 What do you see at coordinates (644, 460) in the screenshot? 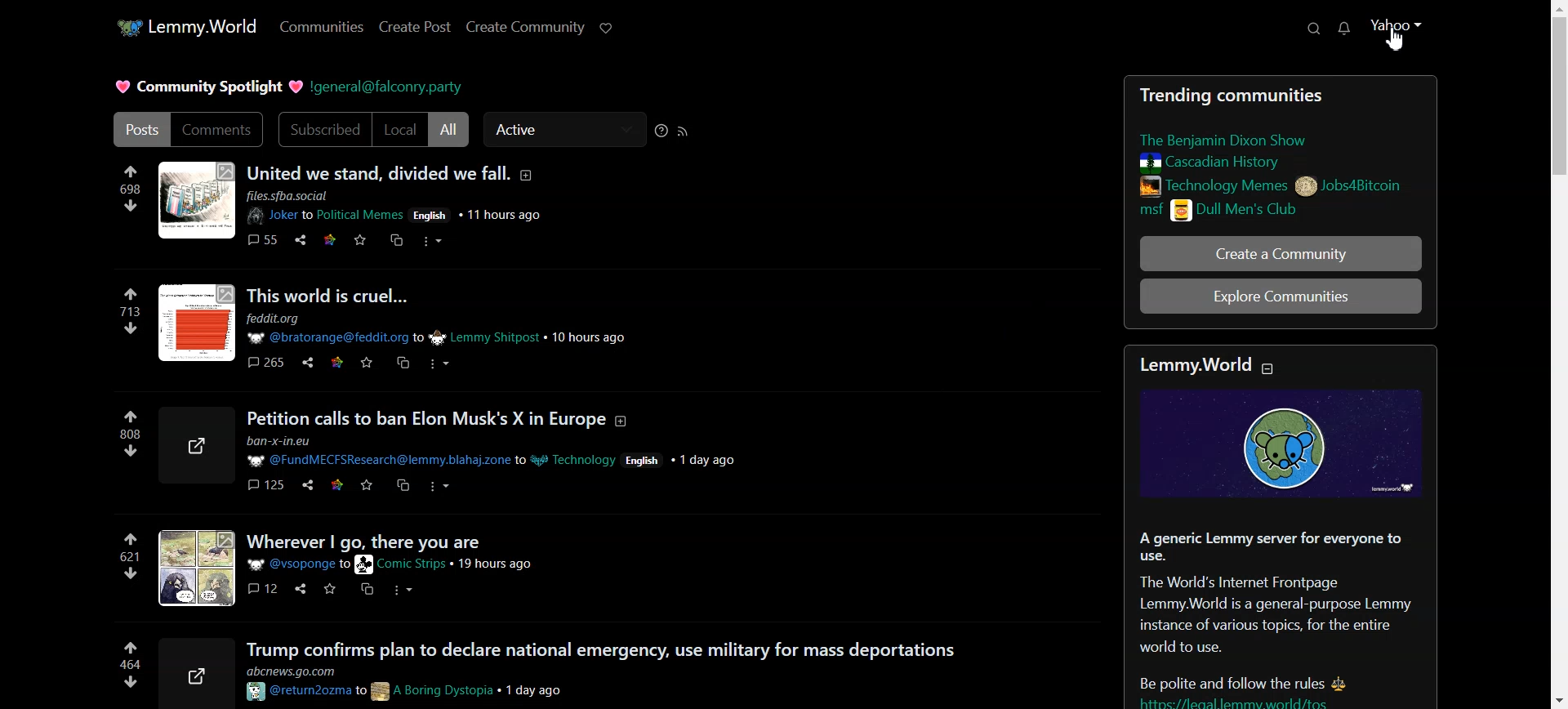
I see `/ English` at bounding box center [644, 460].